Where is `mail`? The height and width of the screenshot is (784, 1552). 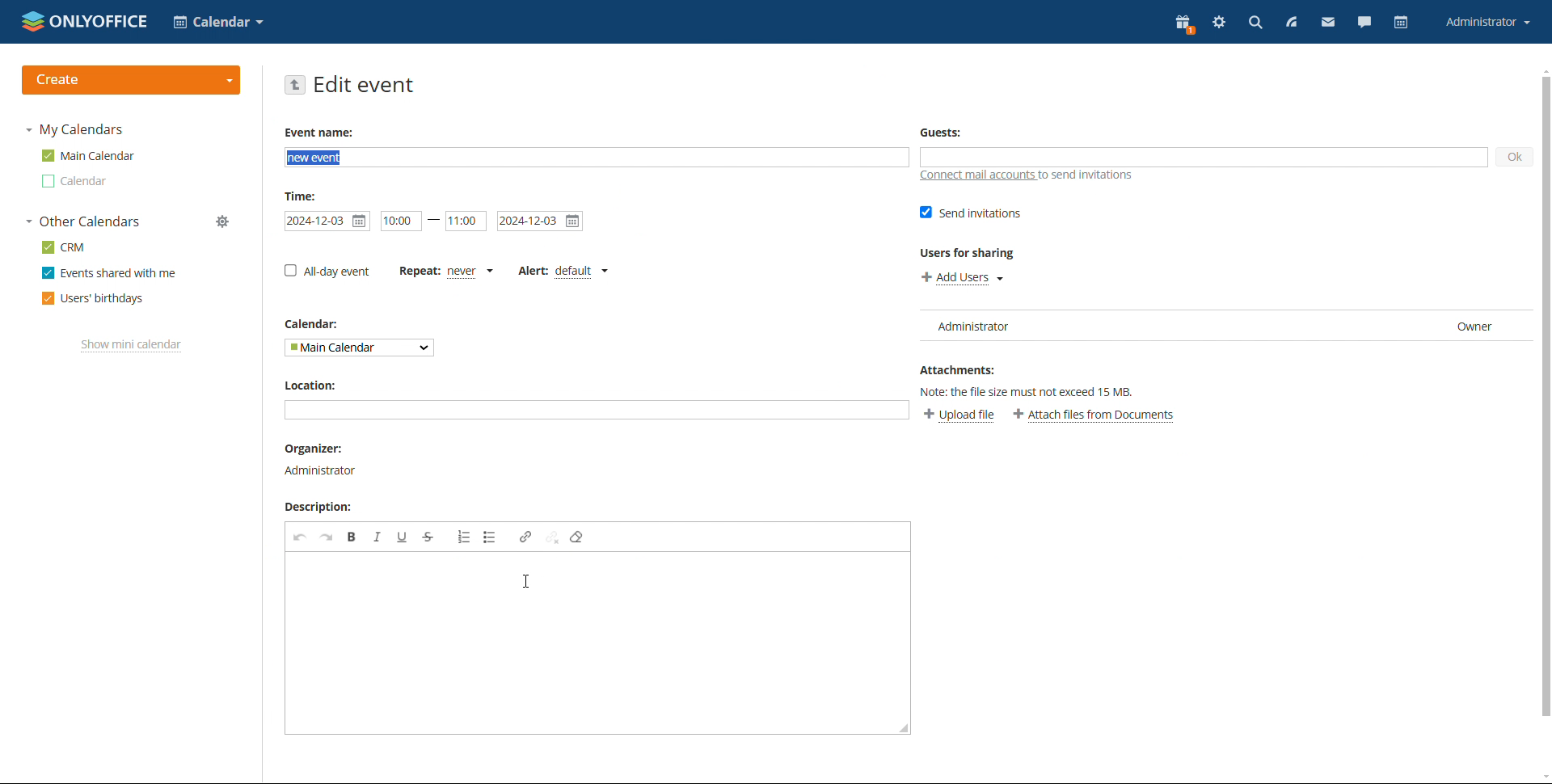
mail is located at coordinates (1329, 22).